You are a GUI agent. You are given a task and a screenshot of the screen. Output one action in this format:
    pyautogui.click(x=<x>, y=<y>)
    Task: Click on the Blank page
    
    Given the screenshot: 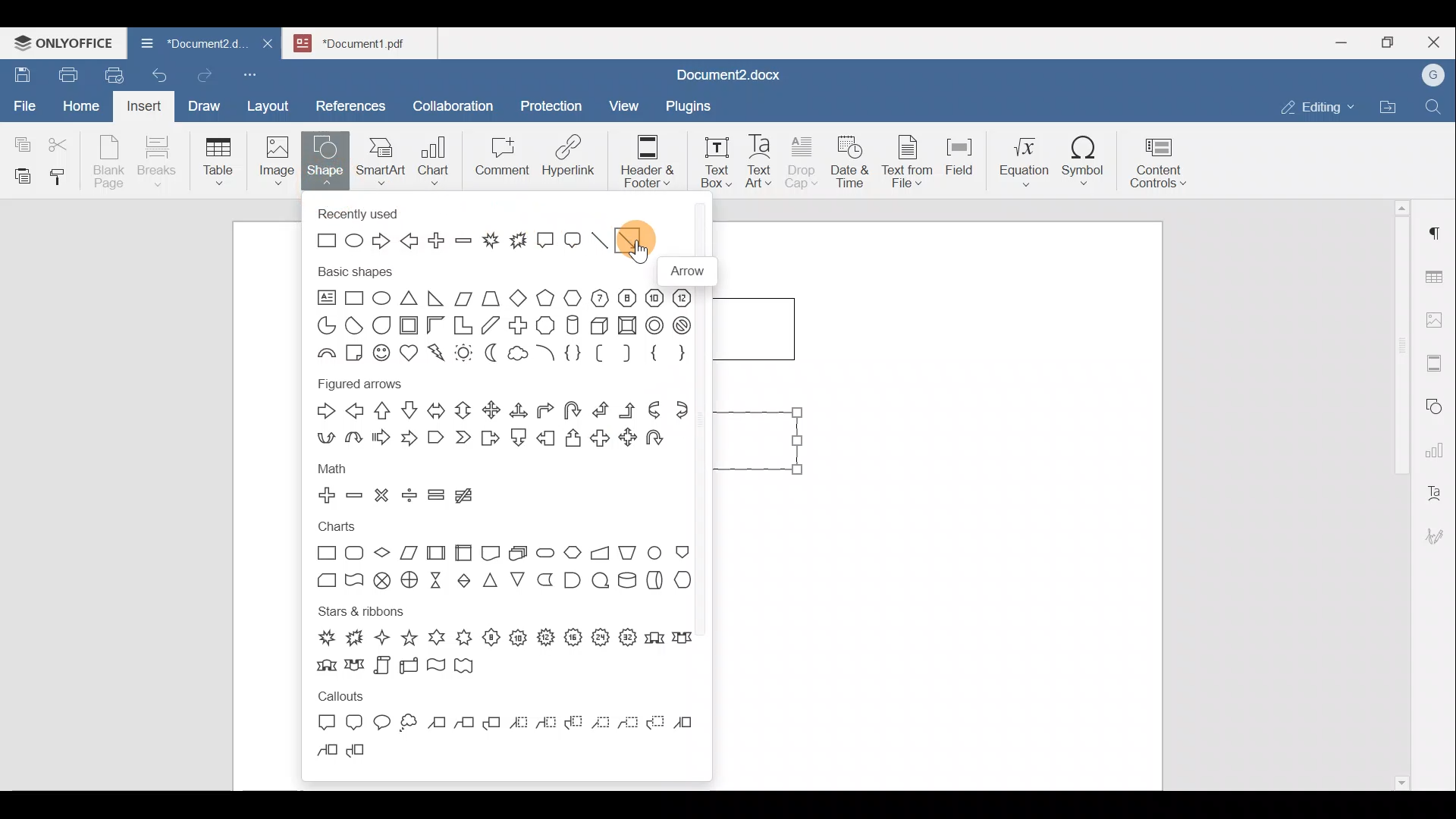 What is the action you would take?
    pyautogui.click(x=111, y=162)
    